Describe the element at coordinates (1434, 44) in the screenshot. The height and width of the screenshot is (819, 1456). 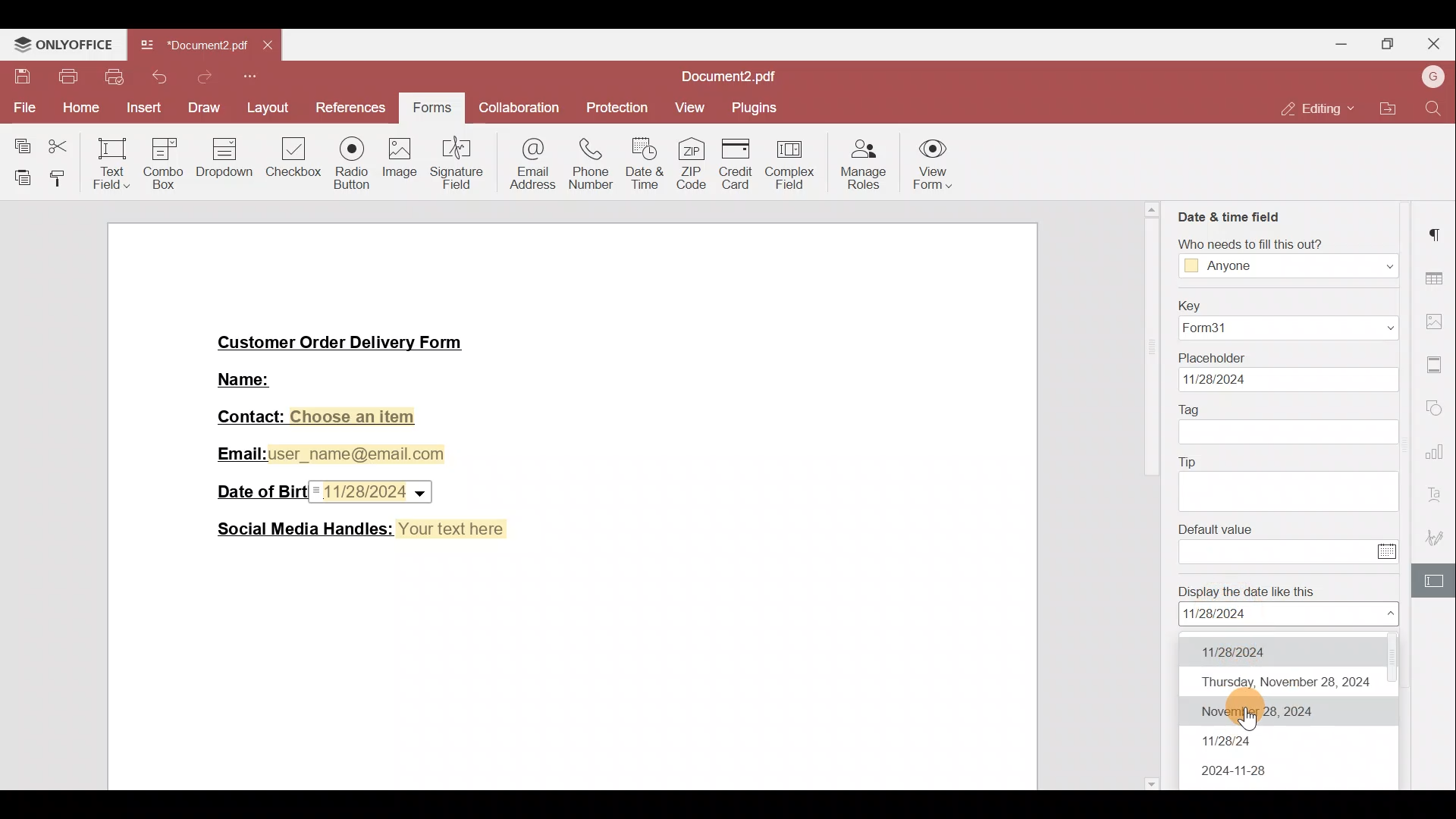
I see `Close` at that location.